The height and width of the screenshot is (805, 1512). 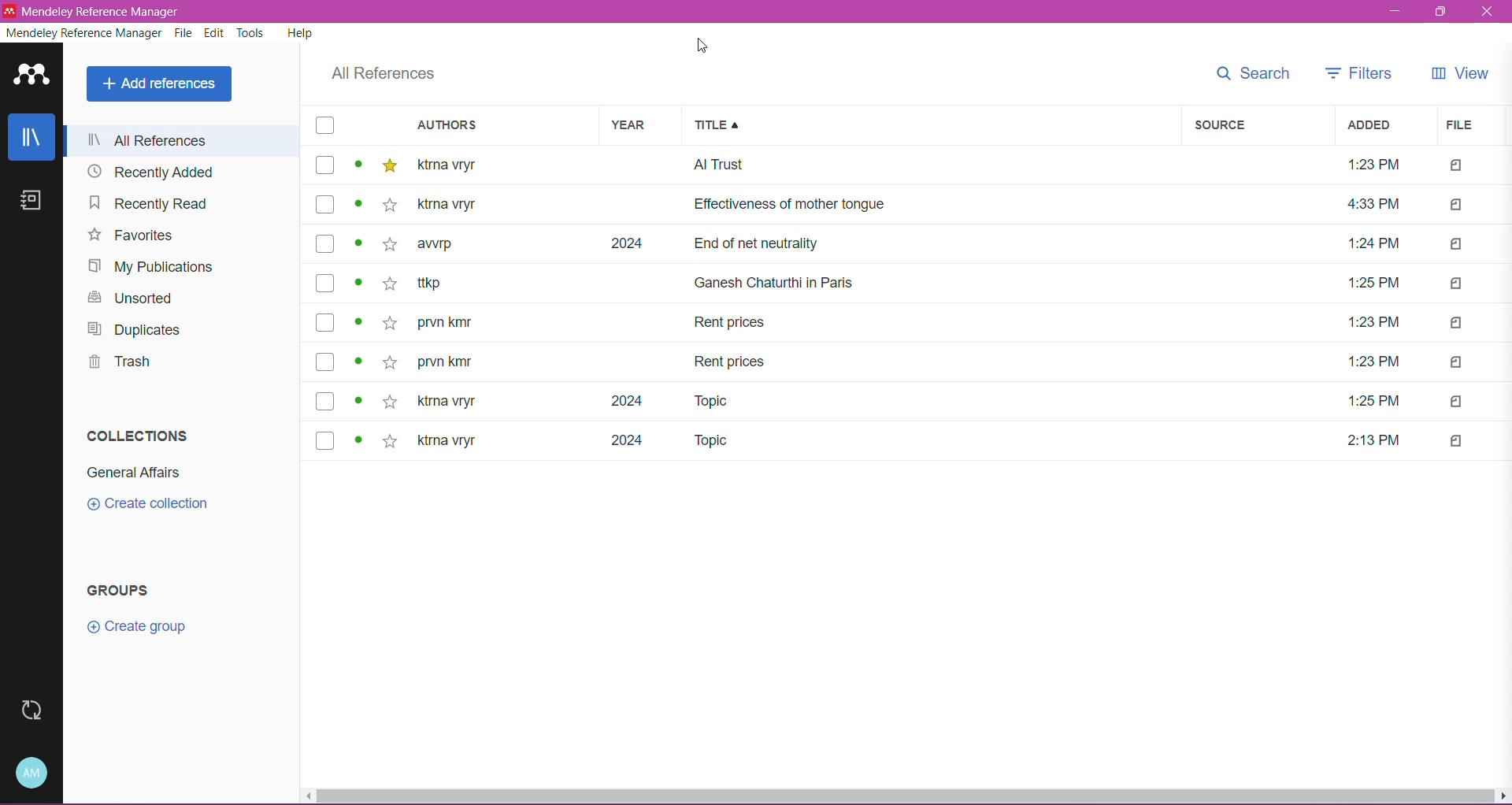 I want to click on Year, so click(x=643, y=126).